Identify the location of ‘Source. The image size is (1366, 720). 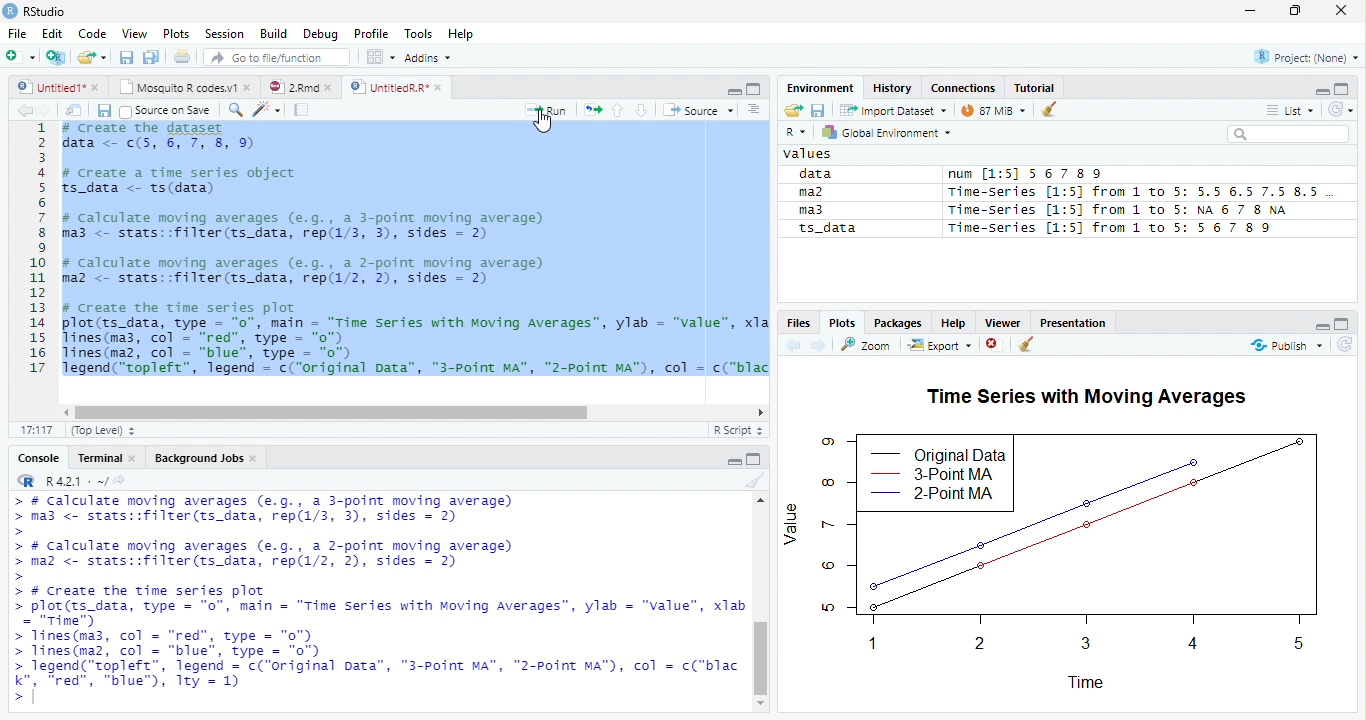
(700, 110).